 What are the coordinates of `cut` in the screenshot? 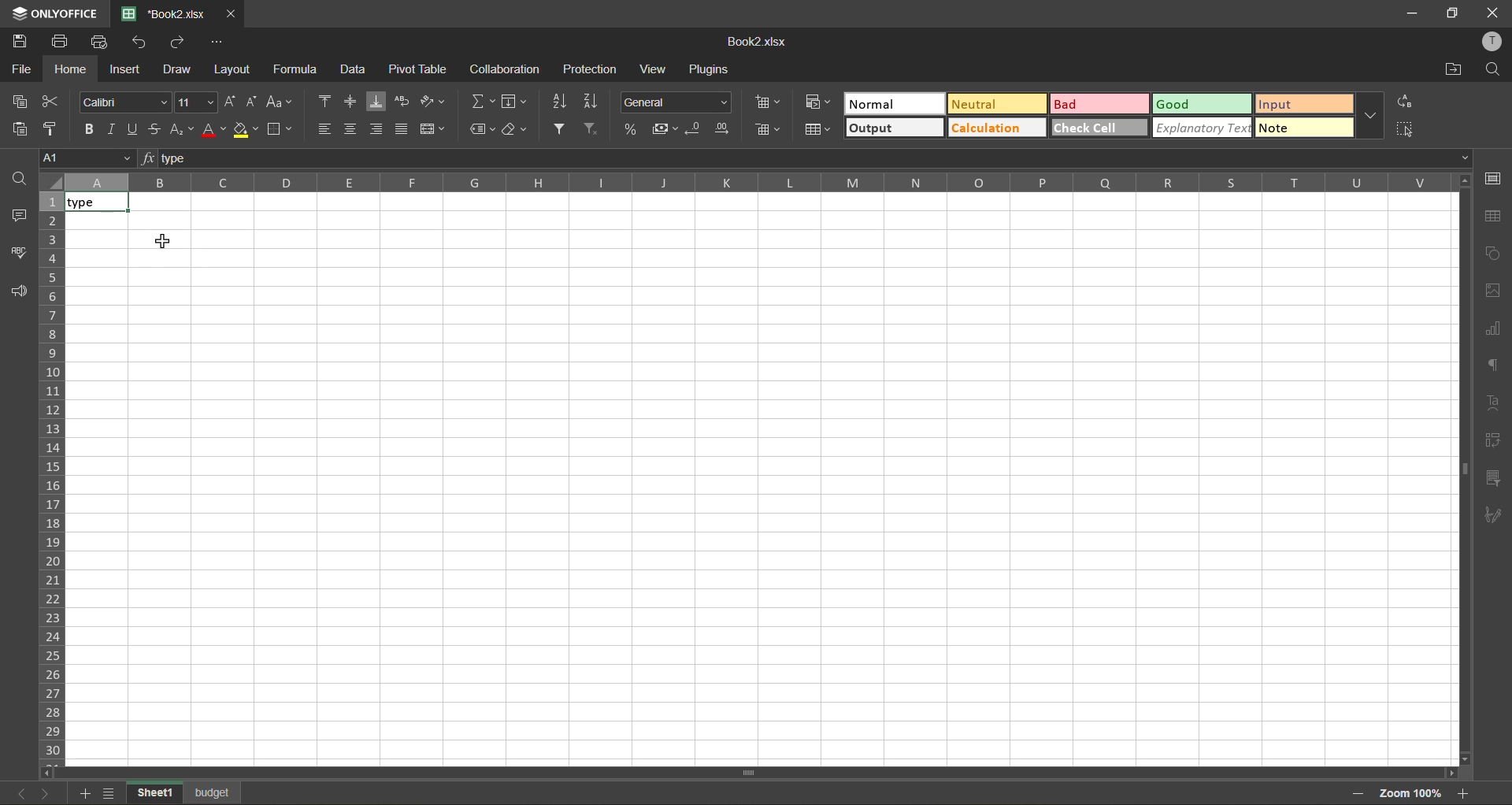 It's located at (53, 100).